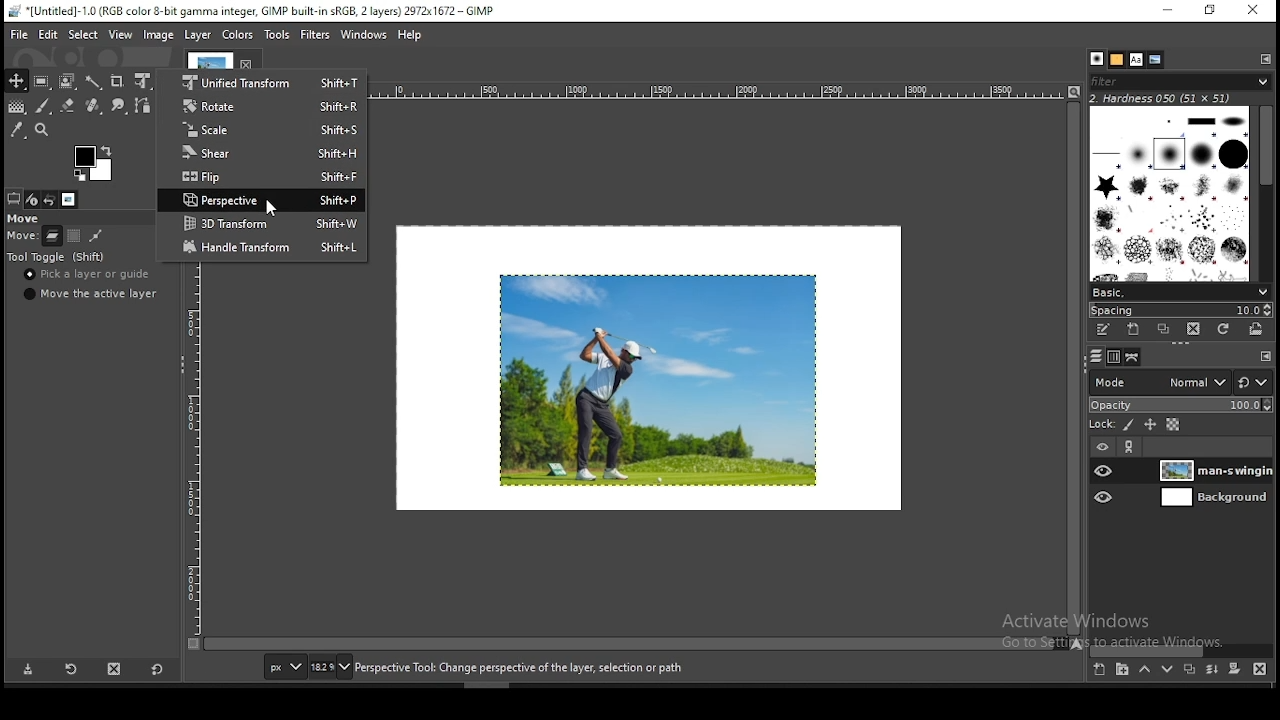 The height and width of the screenshot is (720, 1280). Describe the element at coordinates (1132, 330) in the screenshot. I see `create a new brush` at that location.